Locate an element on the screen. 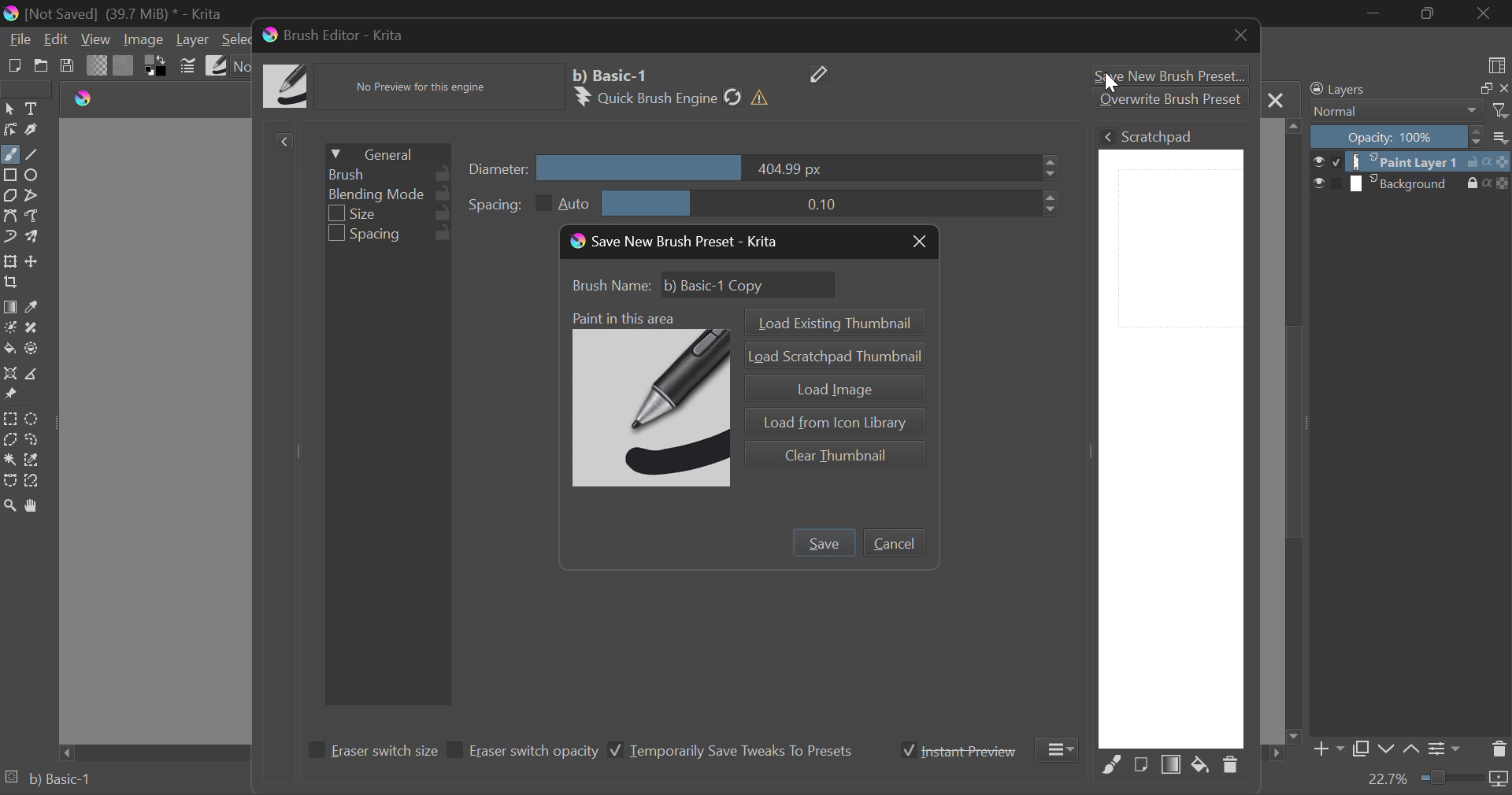 The width and height of the screenshot is (1512, 795). Fill Gradient is located at coordinates (11, 307).